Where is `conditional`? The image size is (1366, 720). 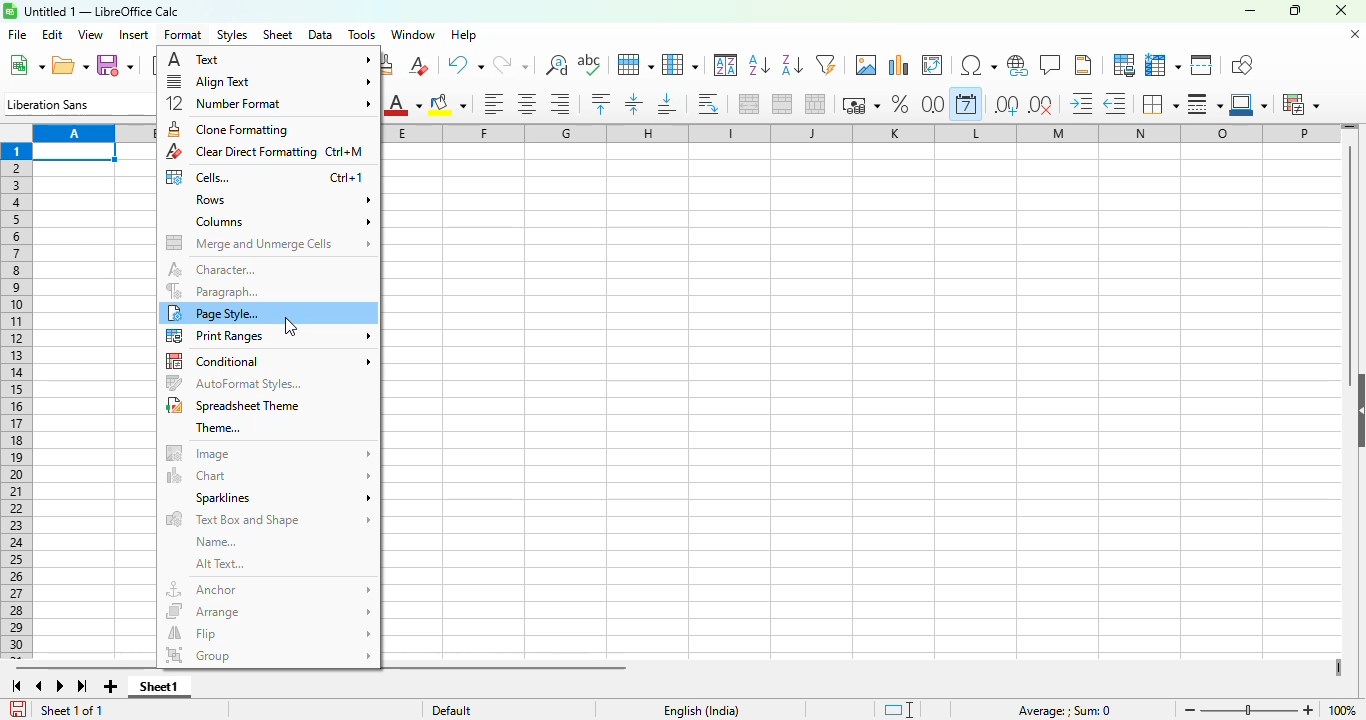
conditional is located at coordinates (1299, 104).